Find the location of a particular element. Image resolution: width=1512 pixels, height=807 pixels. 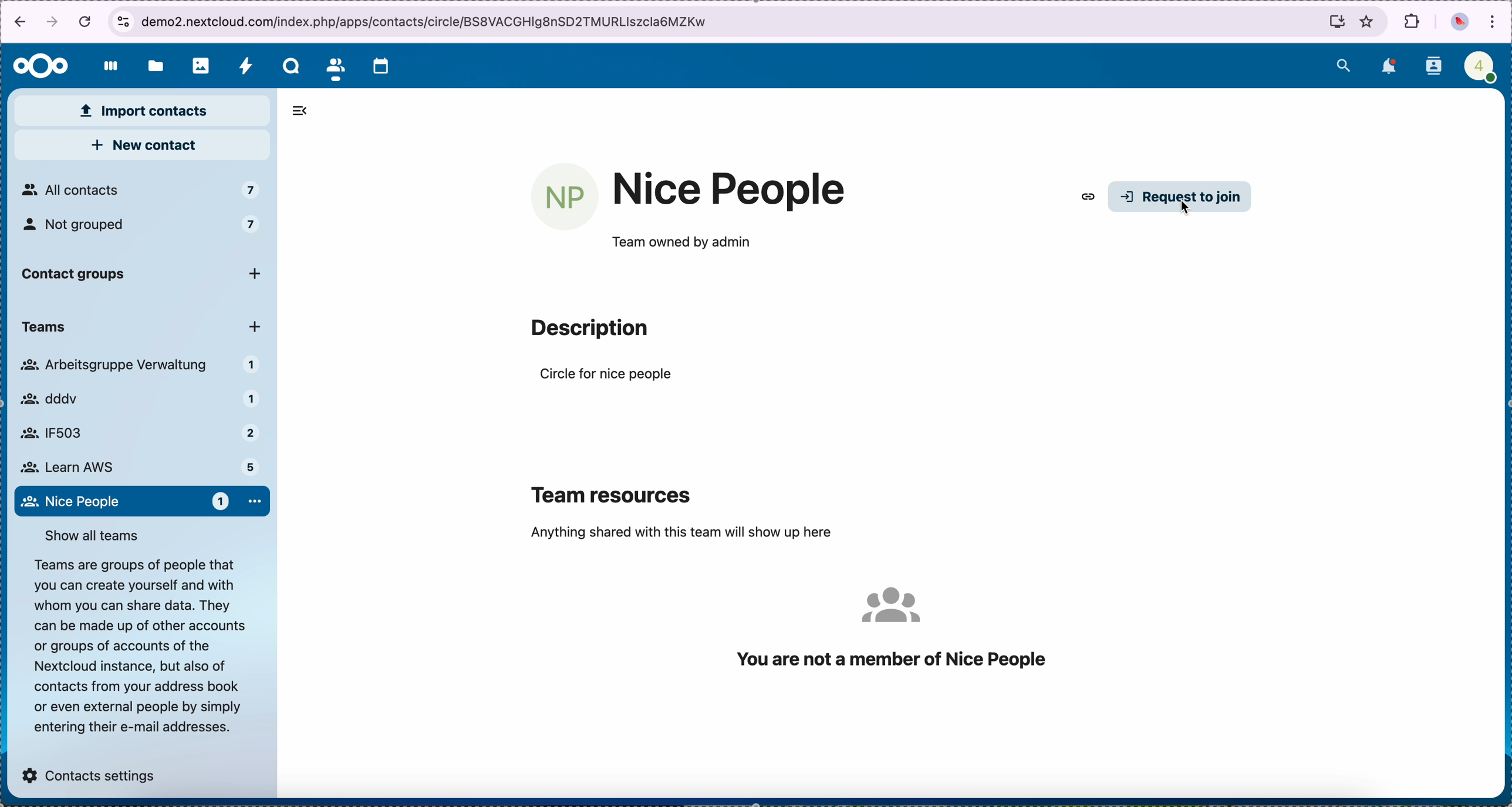

import contacts is located at coordinates (143, 111).